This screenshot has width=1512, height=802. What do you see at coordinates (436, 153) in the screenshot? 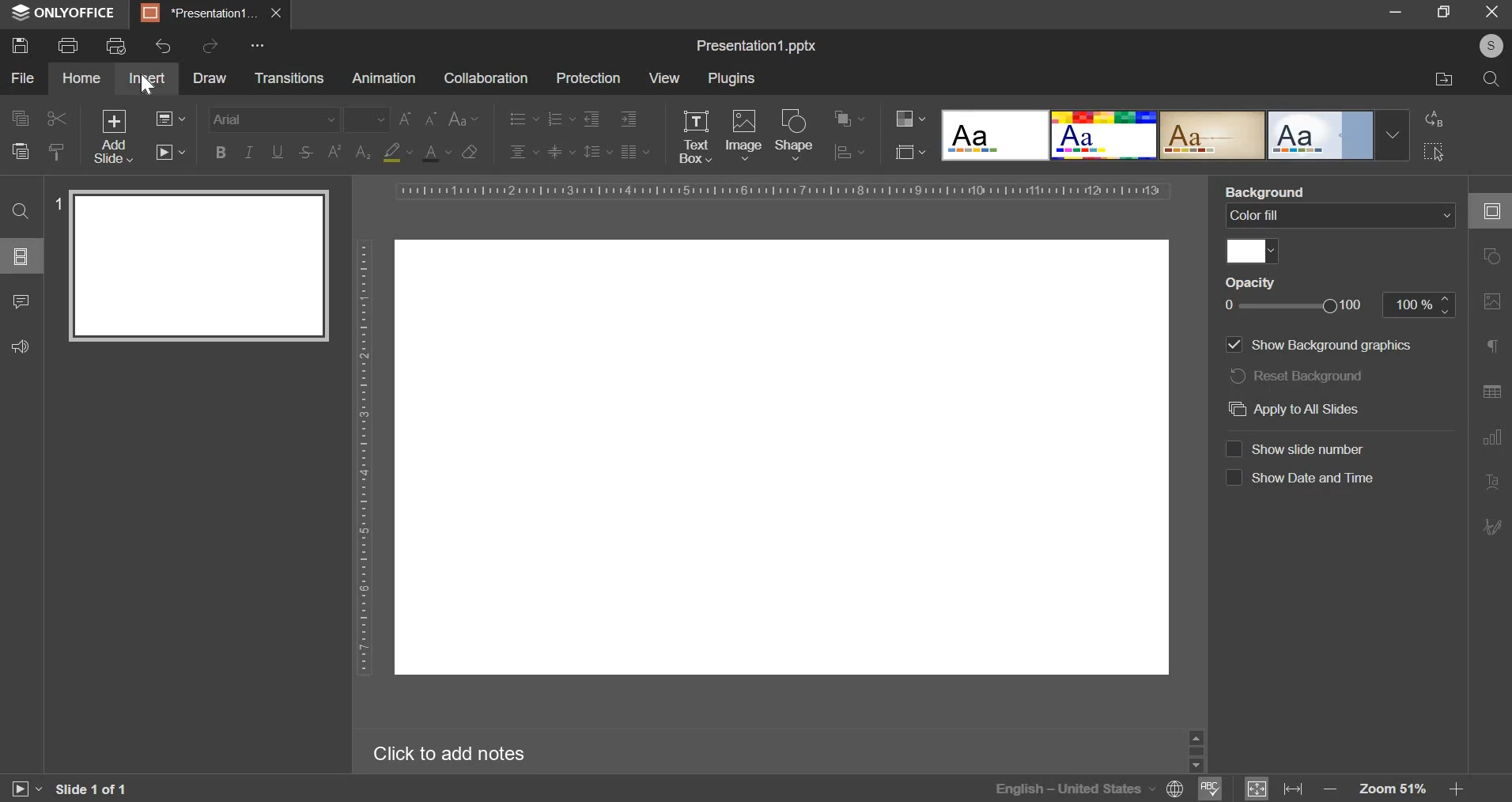
I see `text color` at bounding box center [436, 153].